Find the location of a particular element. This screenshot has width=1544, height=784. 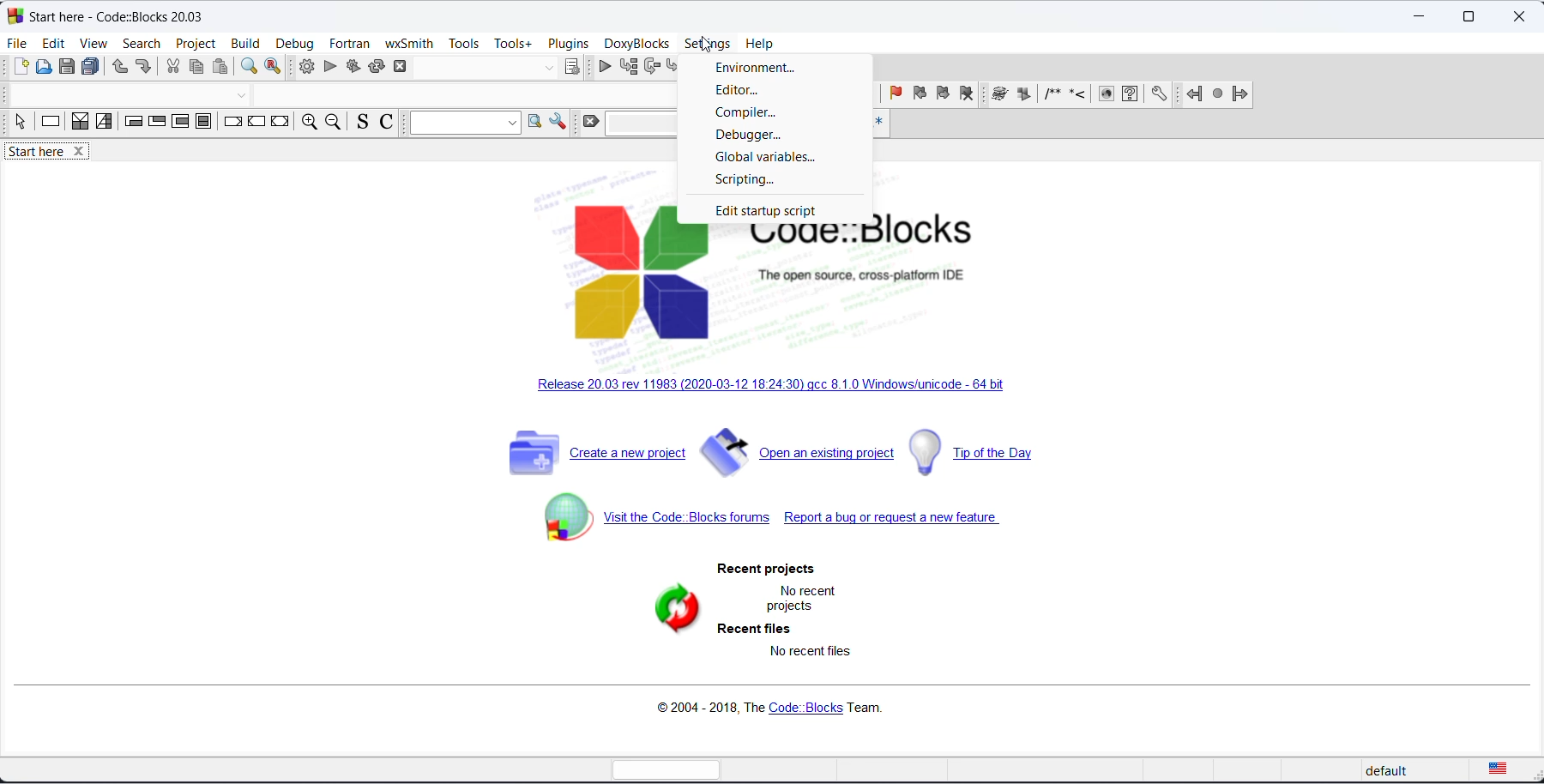

redo is located at coordinates (143, 67).